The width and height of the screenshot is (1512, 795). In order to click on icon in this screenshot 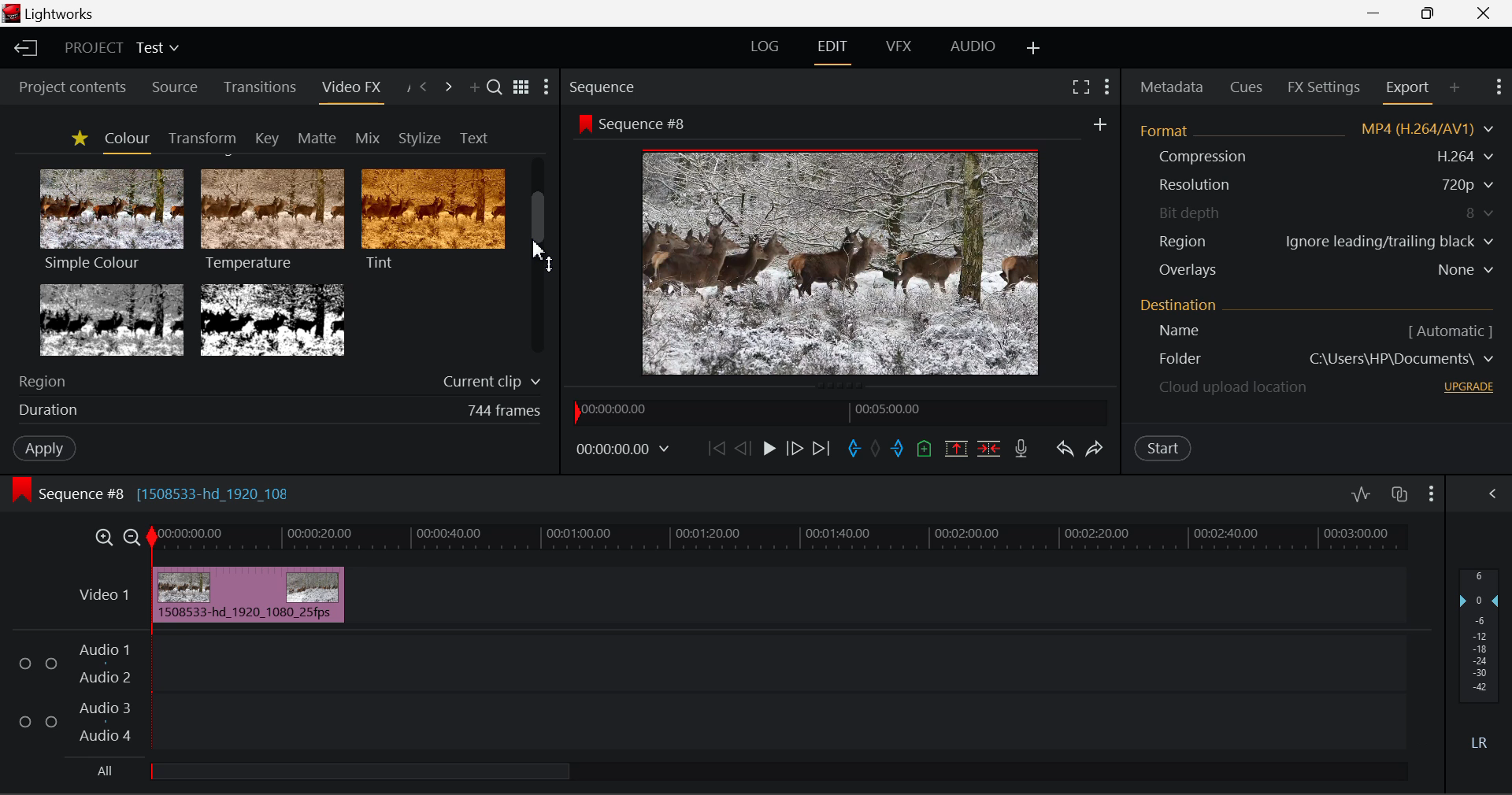, I will do `click(584, 124)`.